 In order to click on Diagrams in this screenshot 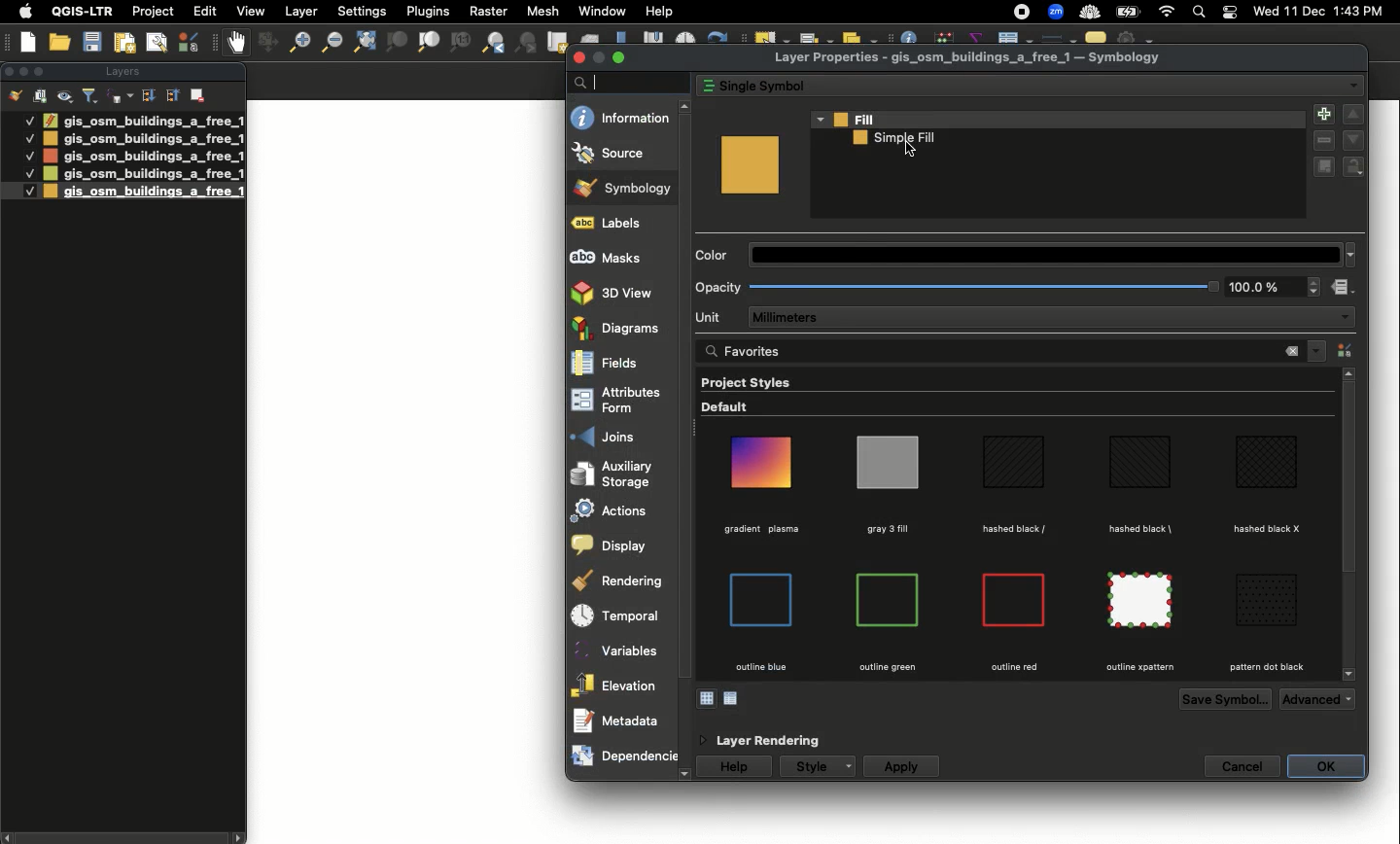, I will do `click(618, 328)`.